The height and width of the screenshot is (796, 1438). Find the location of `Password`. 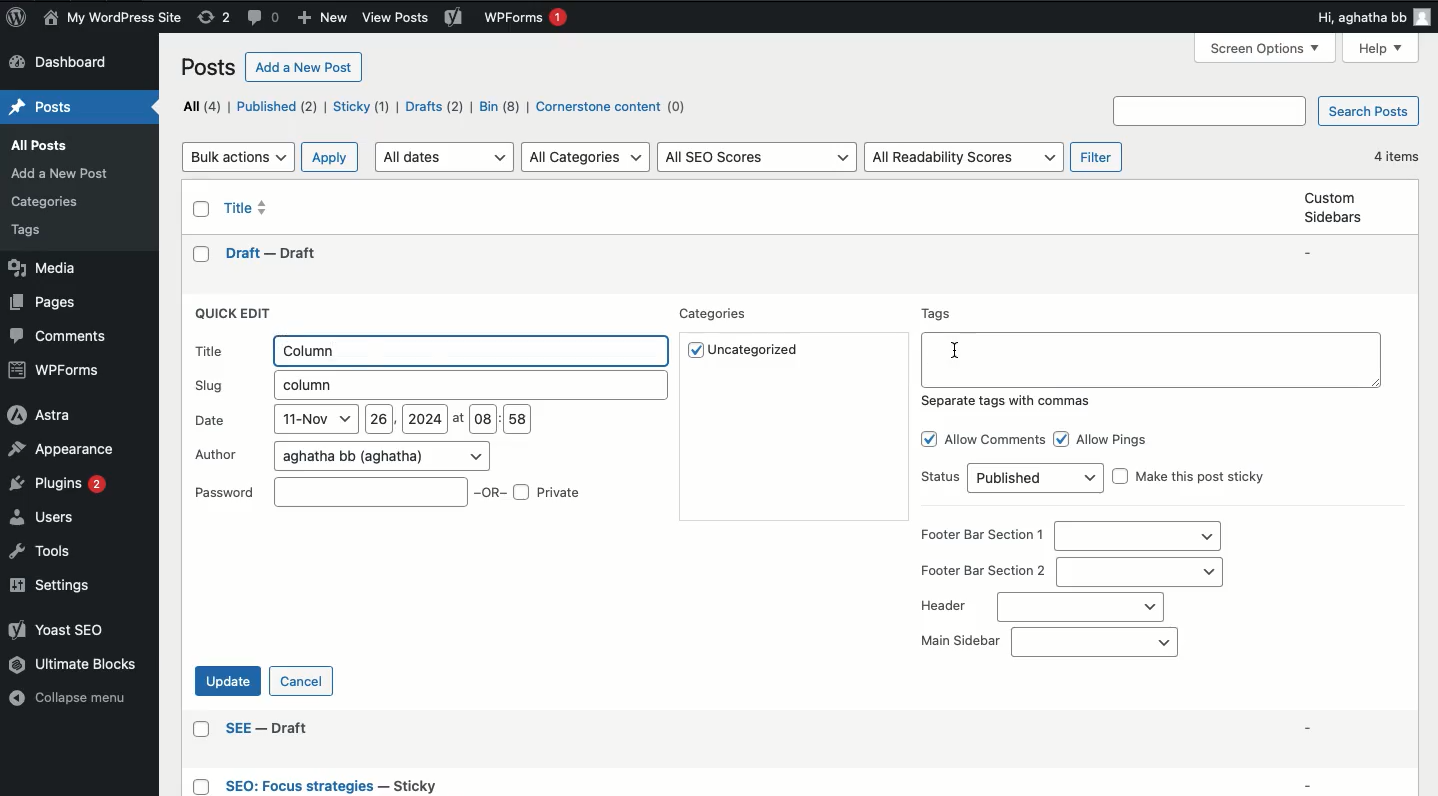

Password is located at coordinates (328, 491).